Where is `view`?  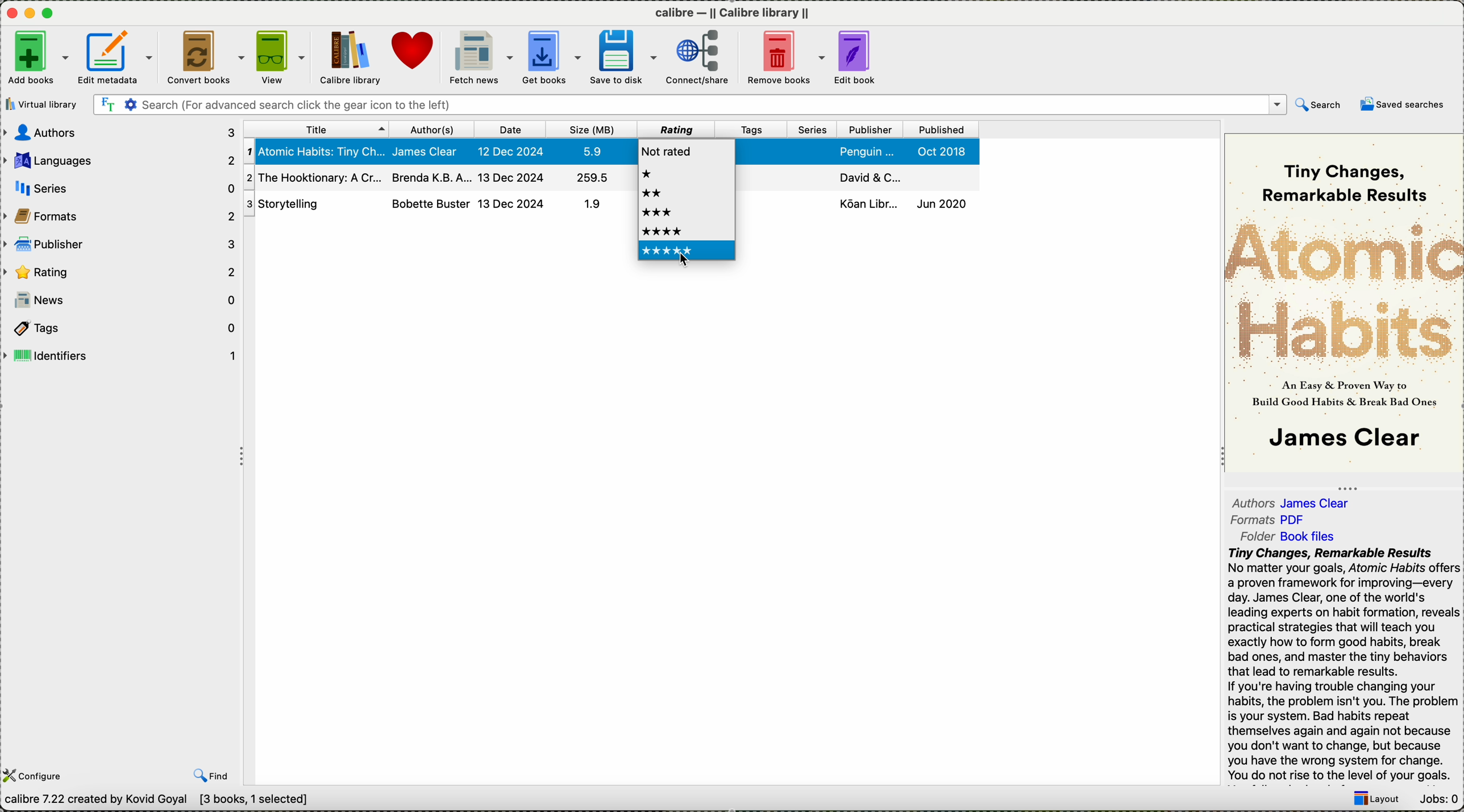
view is located at coordinates (282, 57).